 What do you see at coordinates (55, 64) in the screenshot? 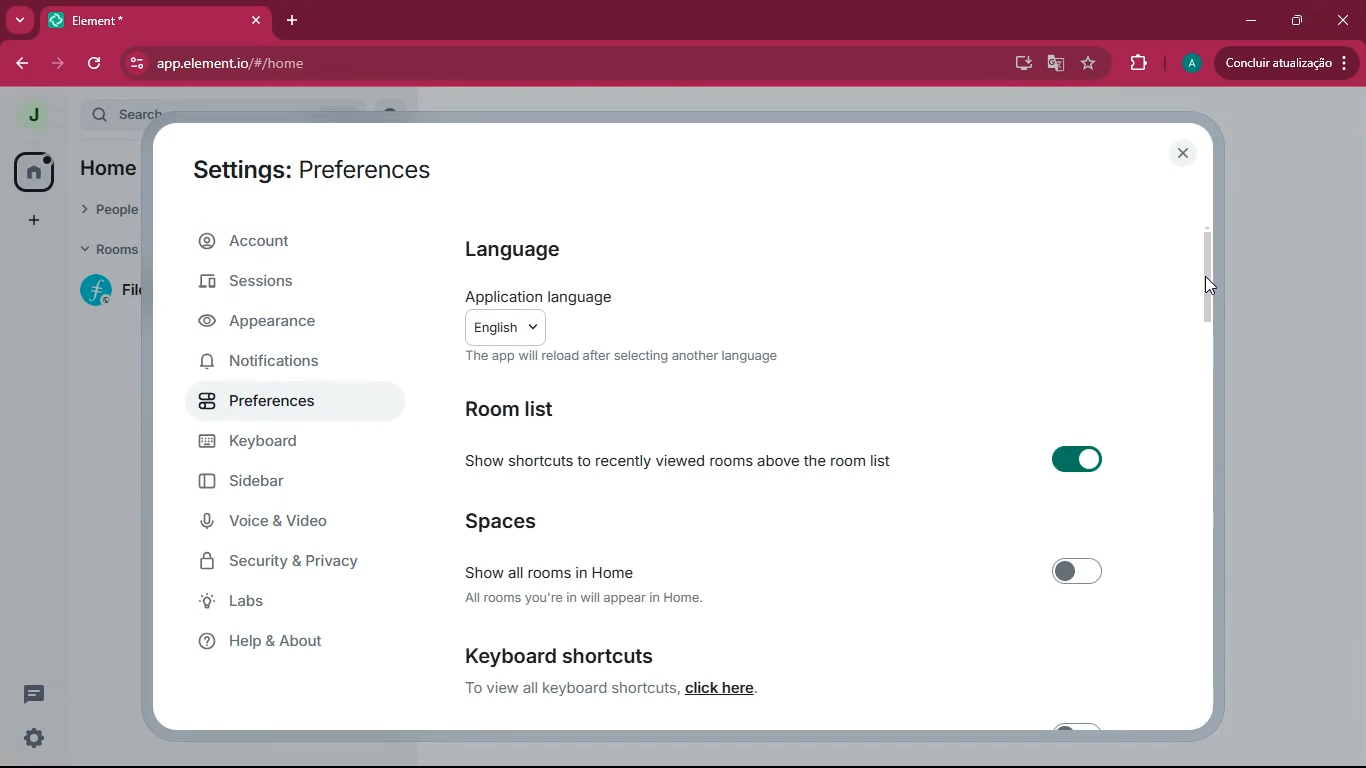
I see `forward` at bounding box center [55, 64].